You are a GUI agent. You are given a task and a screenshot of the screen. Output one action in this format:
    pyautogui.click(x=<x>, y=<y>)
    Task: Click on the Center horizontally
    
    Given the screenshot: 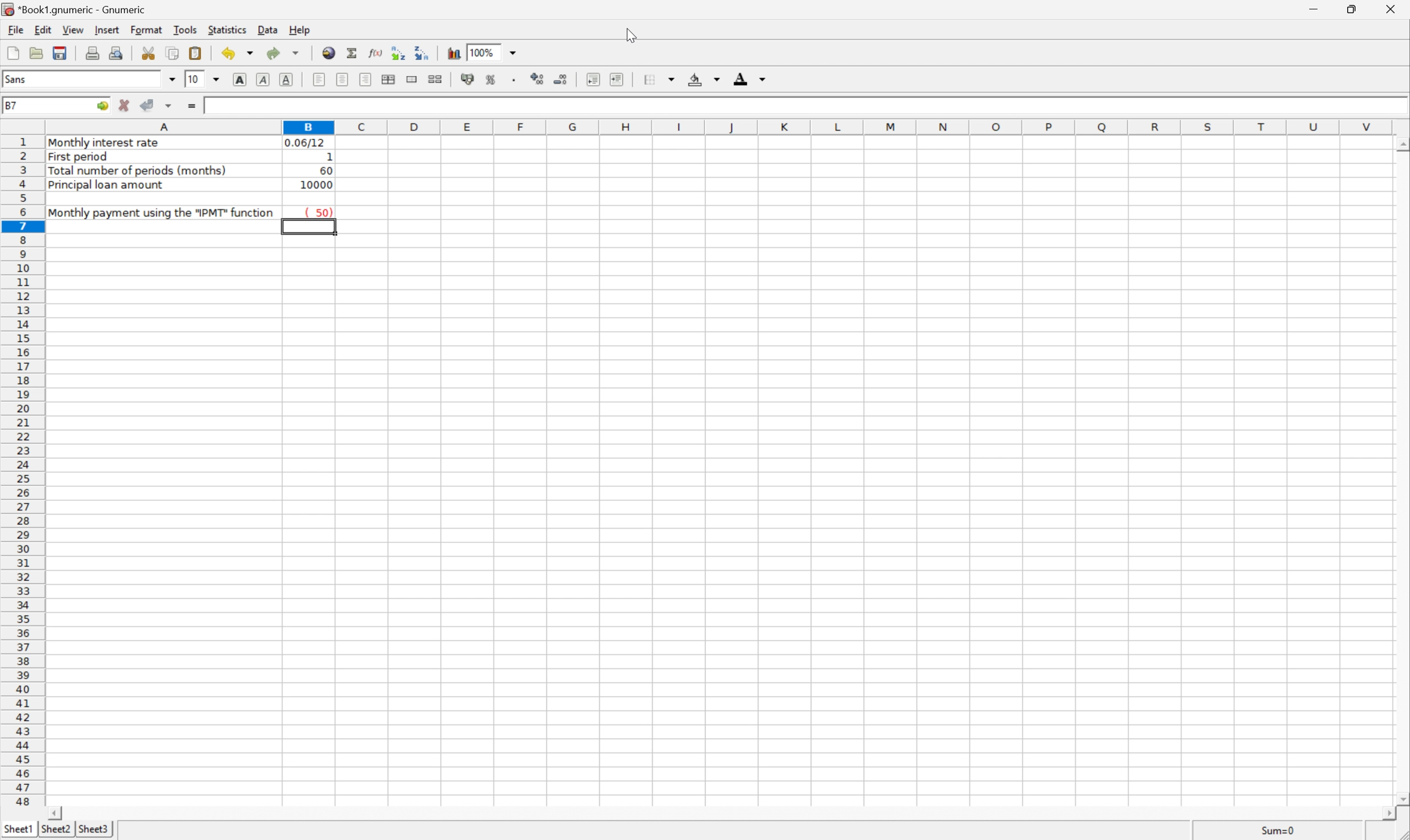 What is the action you would take?
    pyautogui.click(x=343, y=79)
    